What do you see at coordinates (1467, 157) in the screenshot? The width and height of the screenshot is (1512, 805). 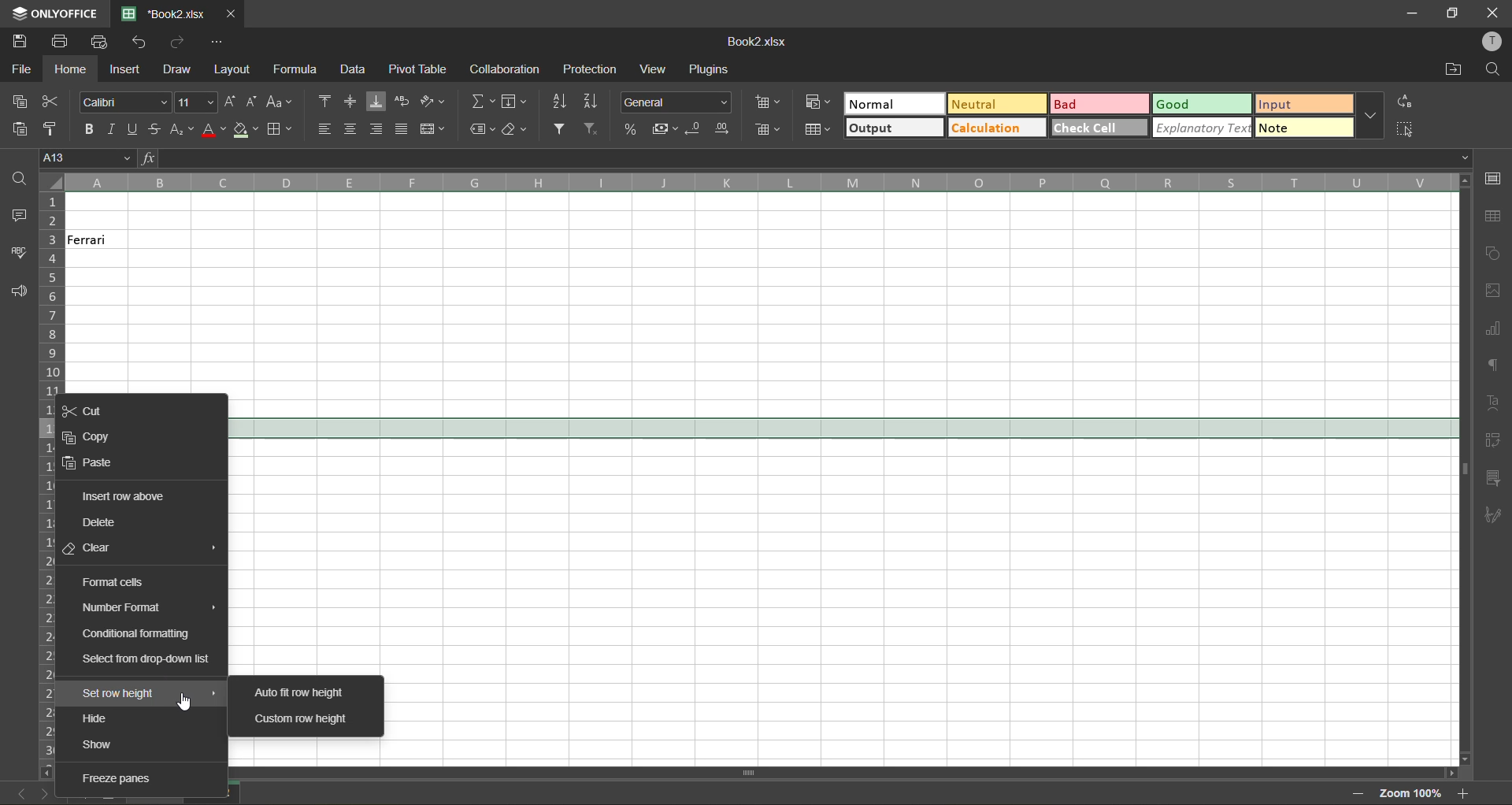 I see `Drop-down ` at bounding box center [1467, 157].